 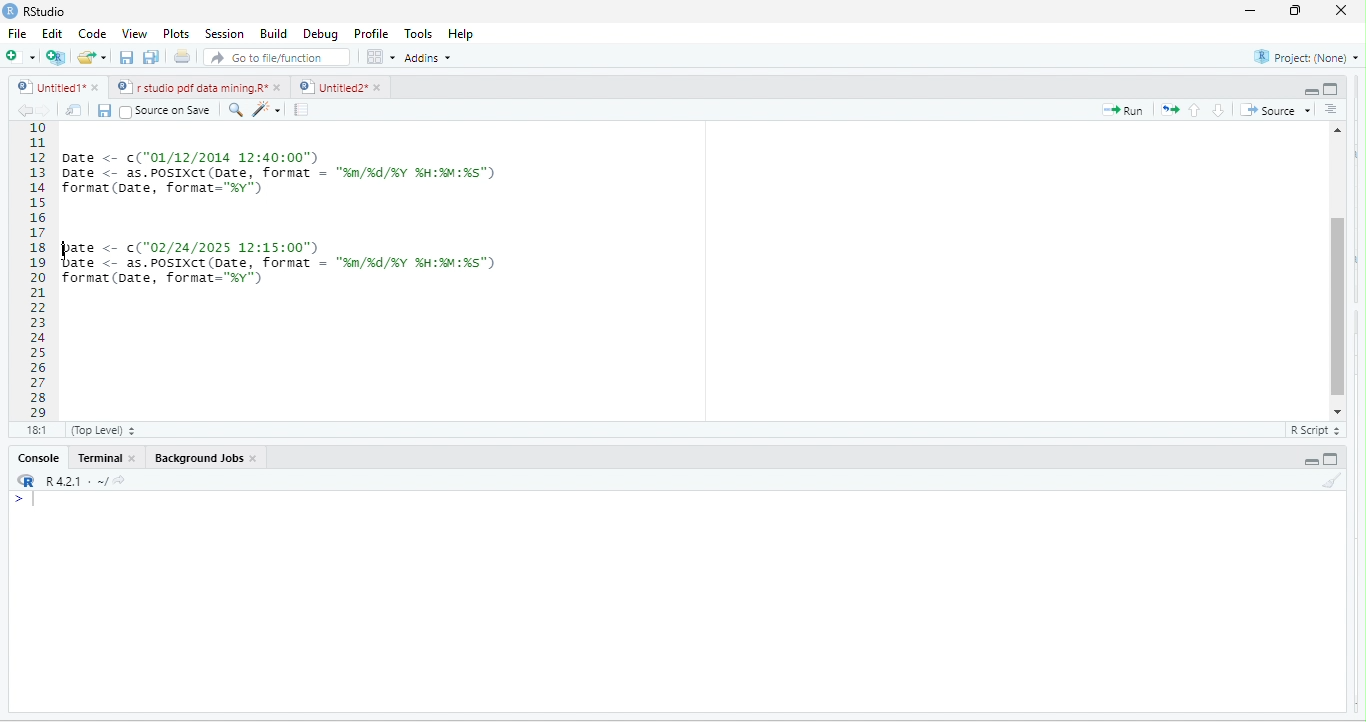 I want to click on new file, so click(x=17, y=56).